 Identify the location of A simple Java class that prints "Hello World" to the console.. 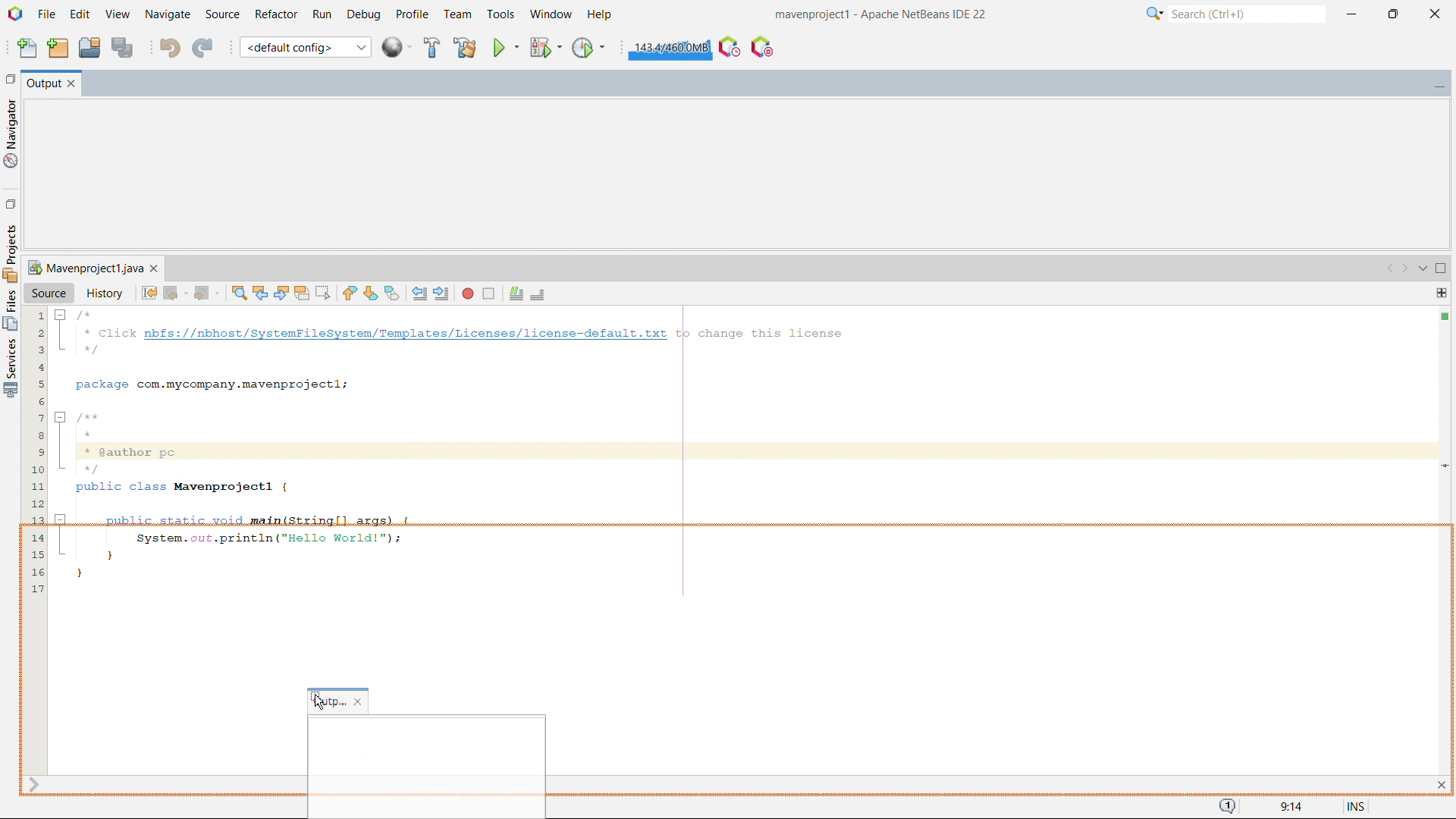
(741, 450).